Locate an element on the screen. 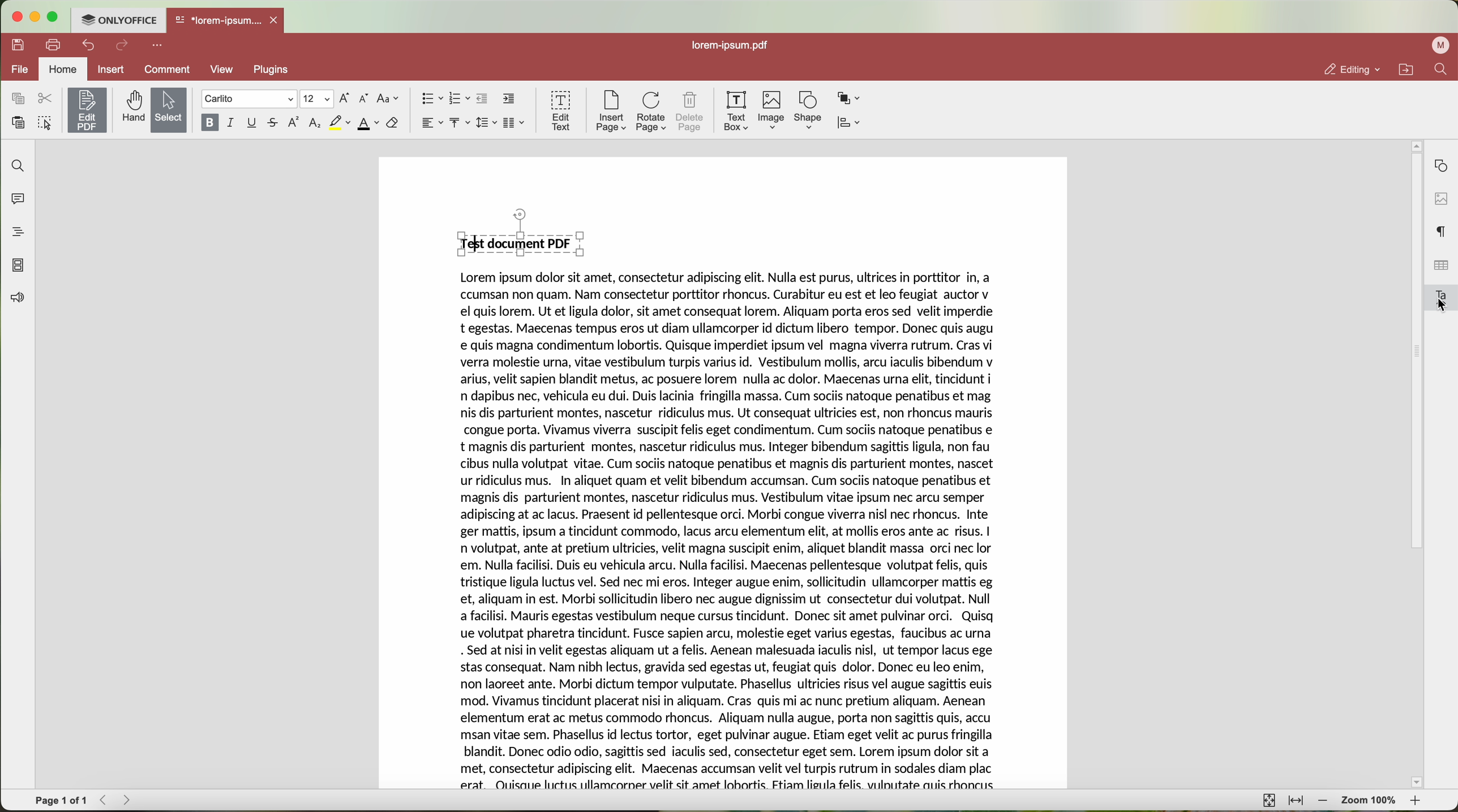 Image resolution: width=1458 pixels, height=812 pixels. fit to page is located at coordinates (1270, 801).